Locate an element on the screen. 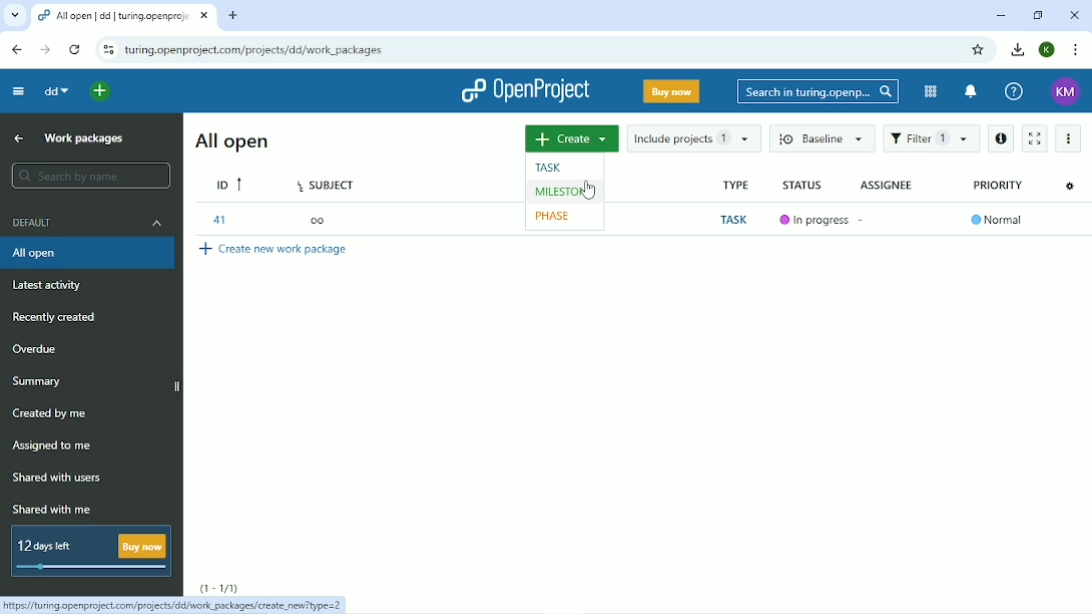 The height and width of the screenshot is (614, 1092). All open is located at coordinates (230, 141).